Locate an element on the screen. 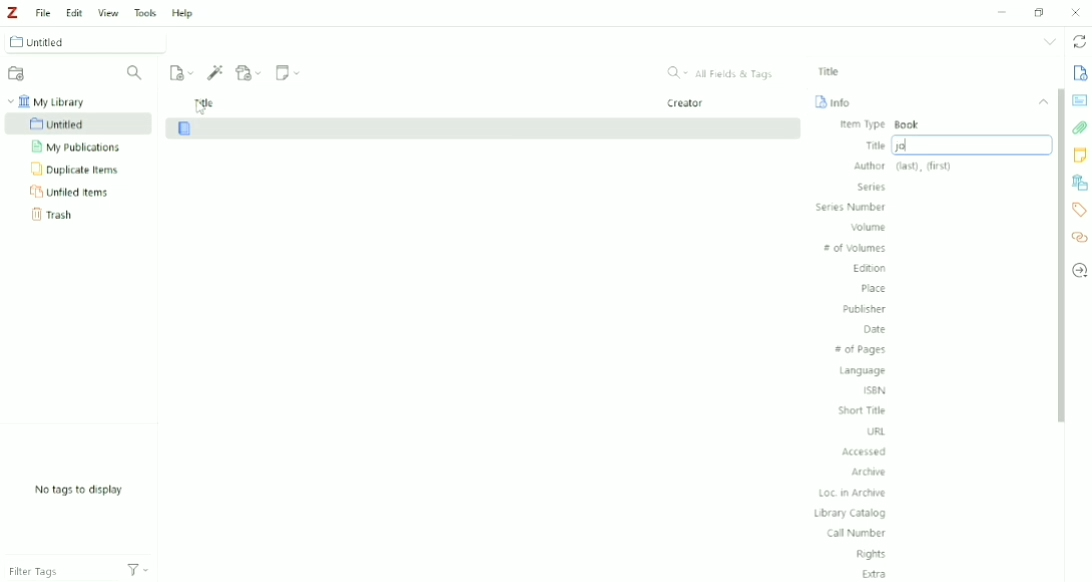  Book added is located at coordinates (482, 129).